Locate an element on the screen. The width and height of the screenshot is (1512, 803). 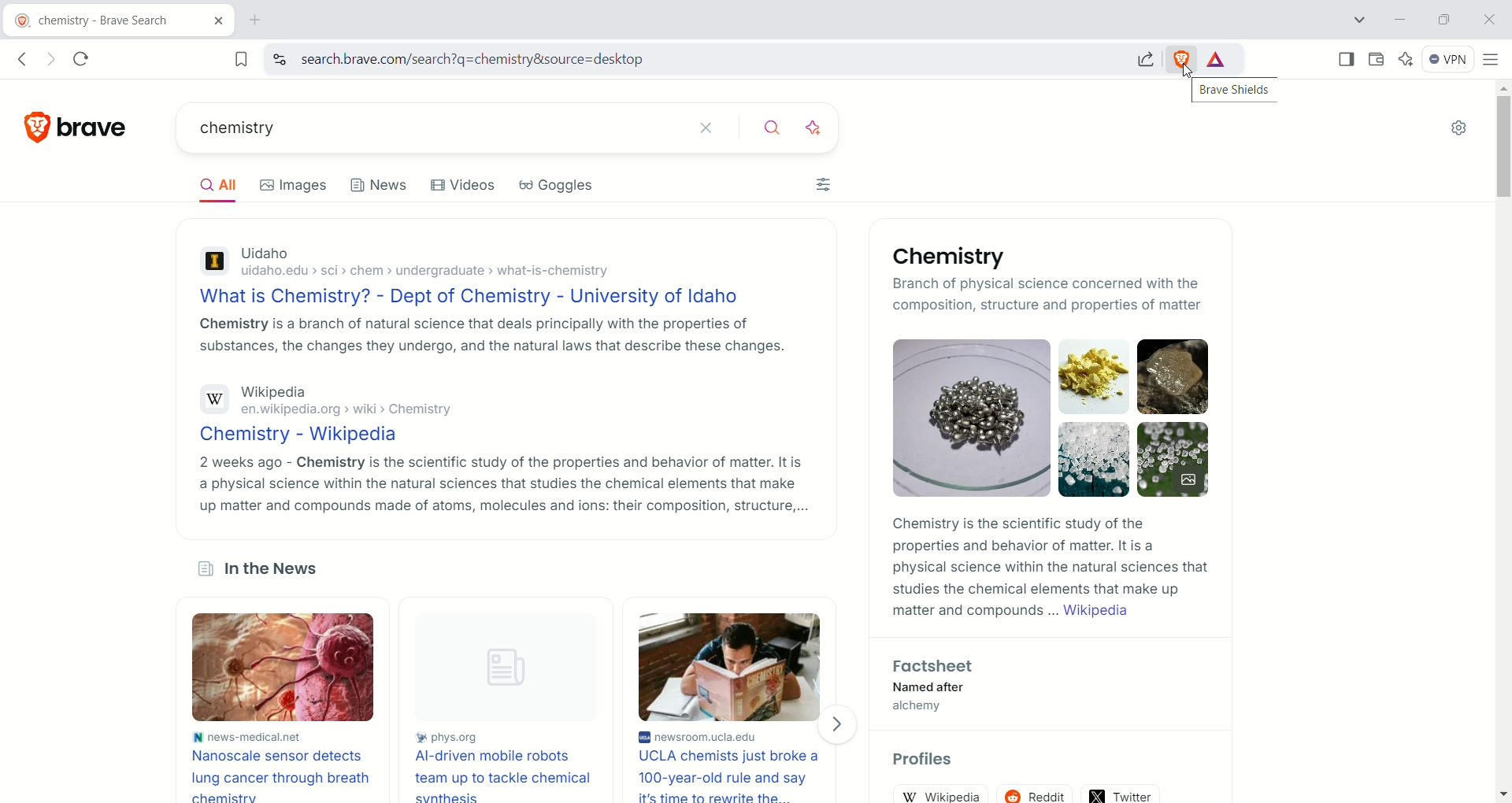
image of a person reading a book is located at coordinates (732, 665).